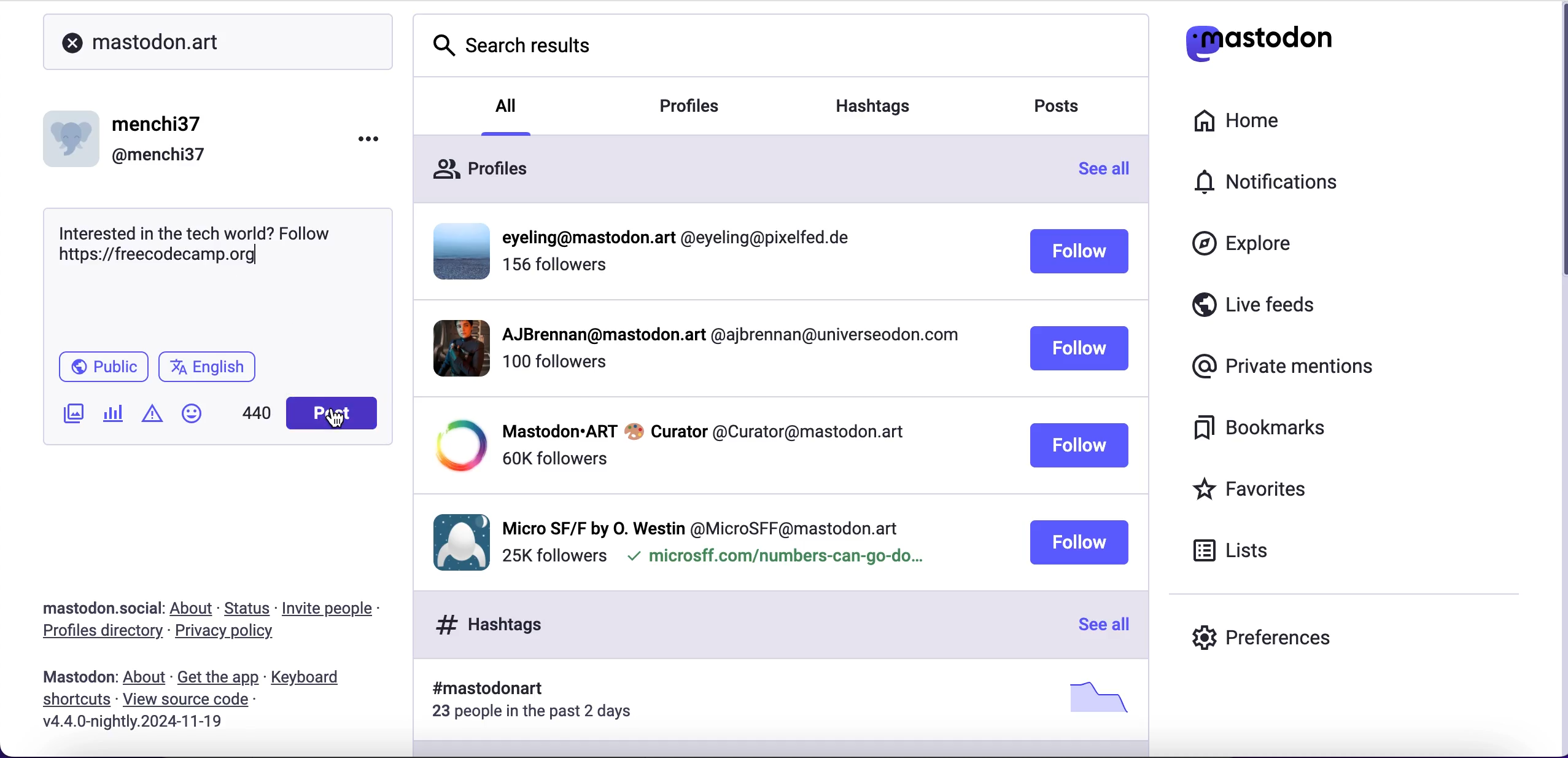 This screenshot has height=758, width=1568. What do you see at coordinates (192, 413) in the screenshot?
I see `emoji` at bounding box center [192, 413].